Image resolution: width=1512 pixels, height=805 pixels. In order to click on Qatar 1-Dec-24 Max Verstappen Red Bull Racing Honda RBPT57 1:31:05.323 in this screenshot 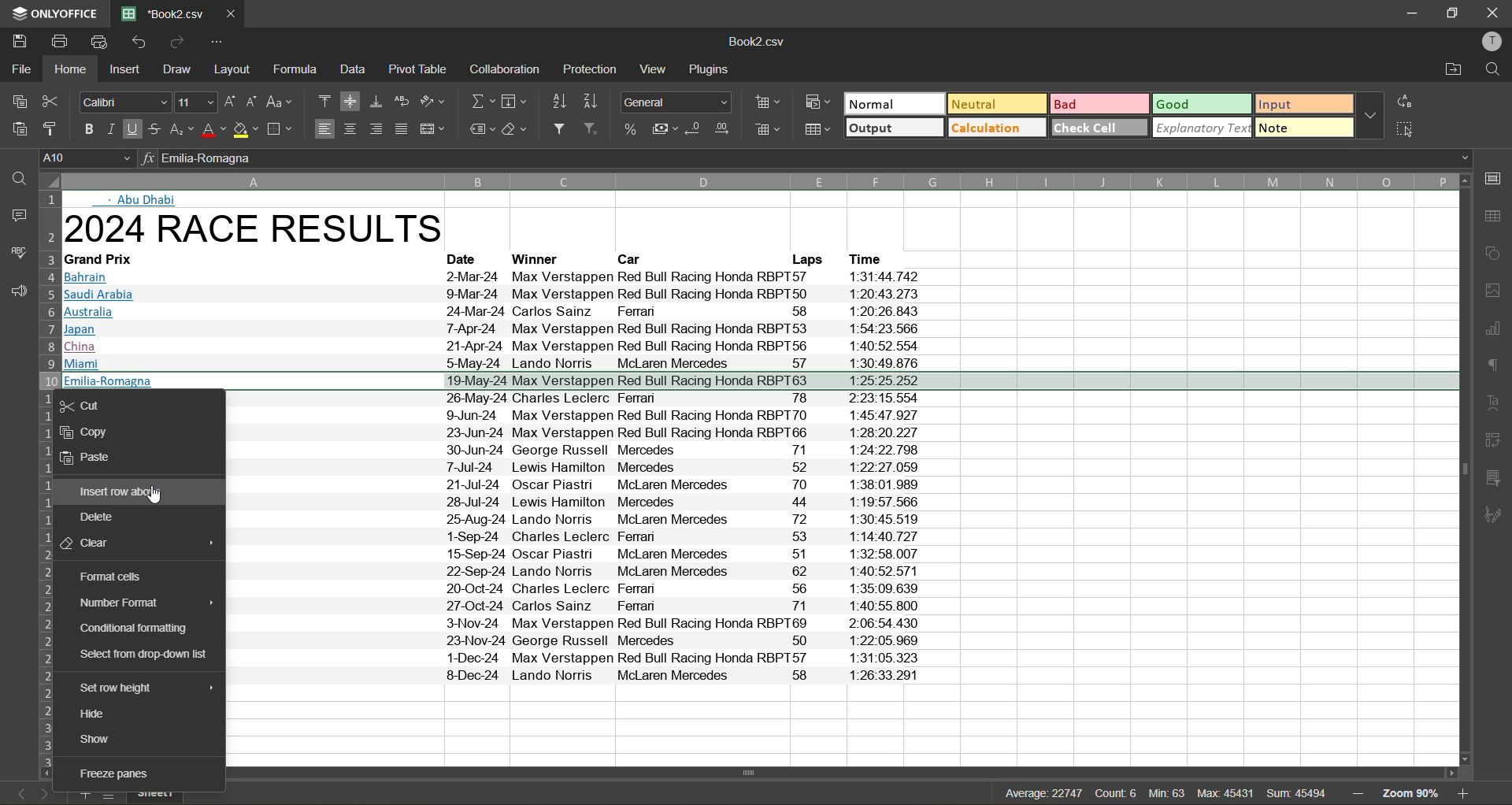, I will do `click(573, 658)`.